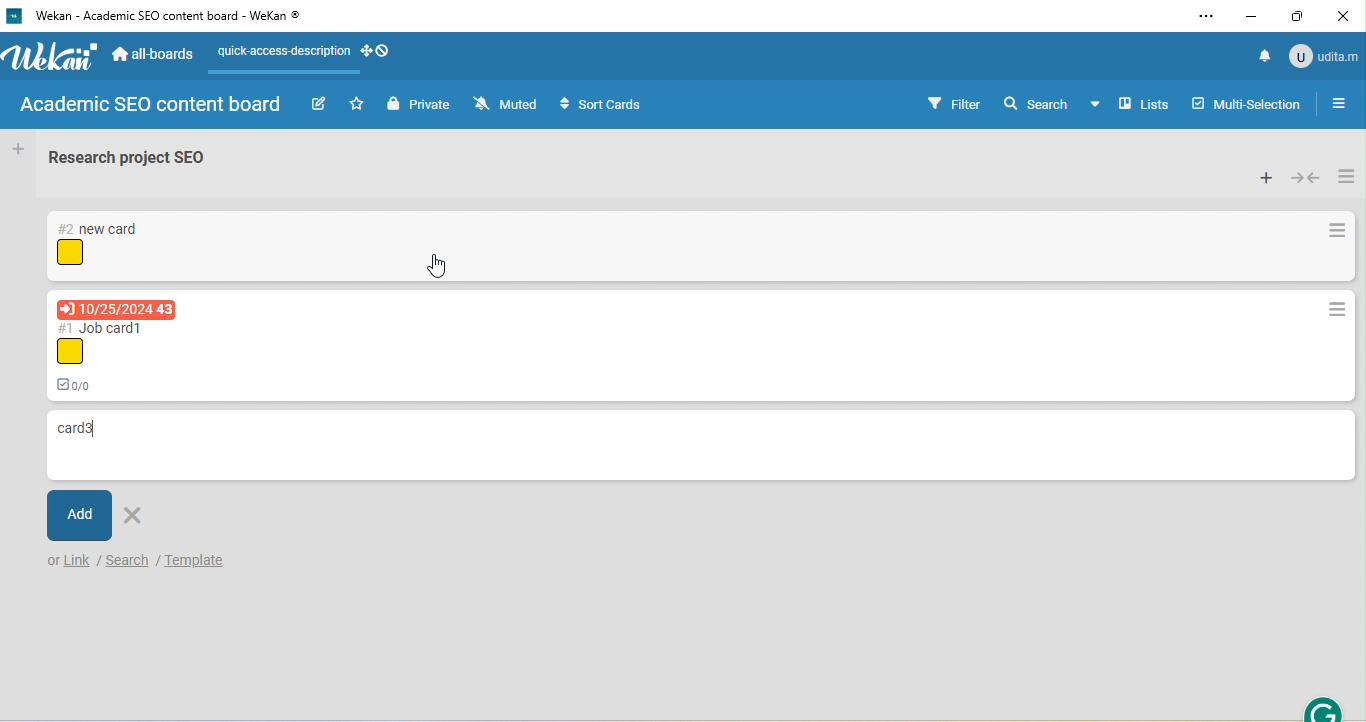 The height and width of the screenshot is (722, 1366). I want to click on card titles , so click(100, 229).